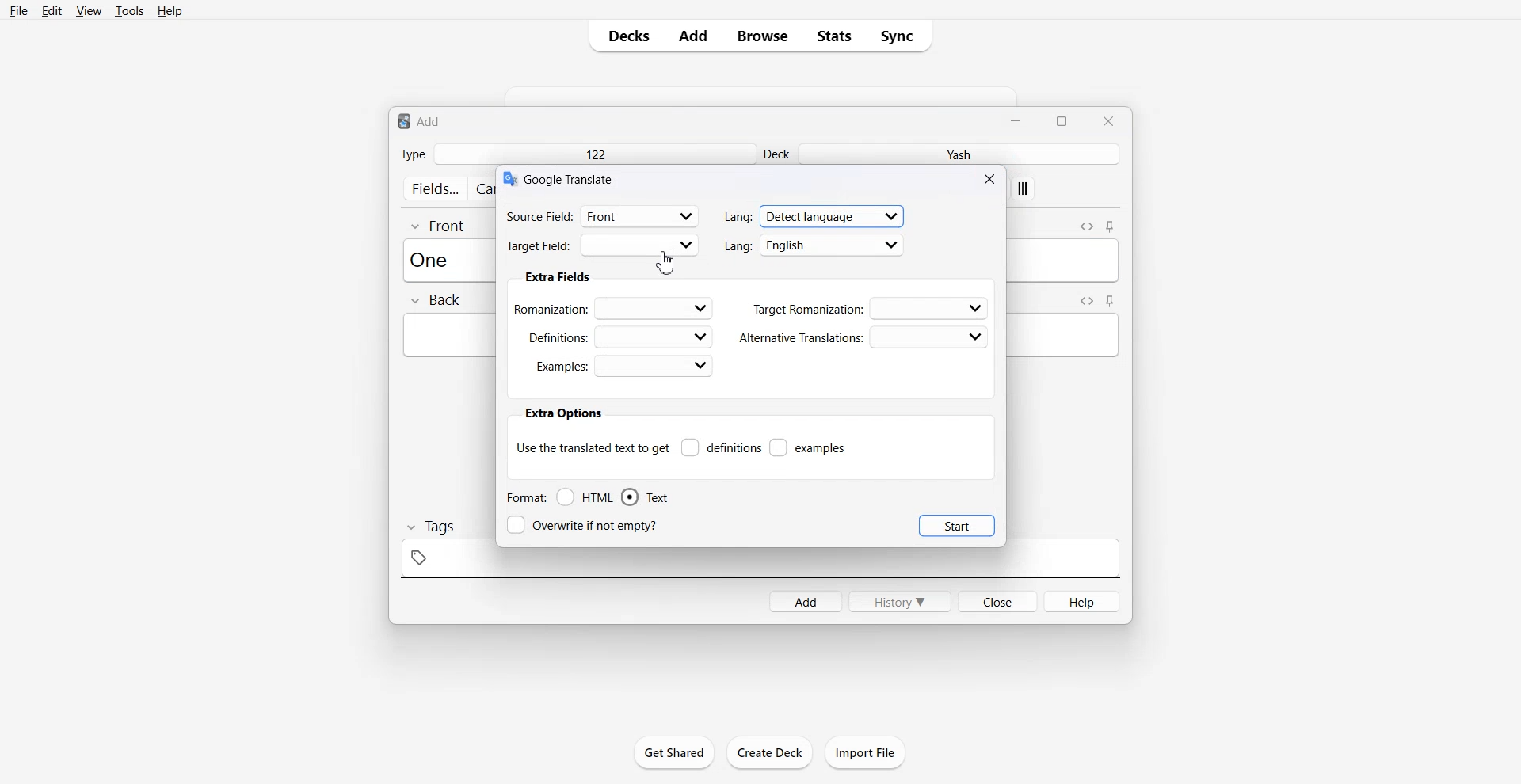  What do you see at coordinates (129, 10) in the screenshot?
I see `Tools` at bounding box center [129, 10].